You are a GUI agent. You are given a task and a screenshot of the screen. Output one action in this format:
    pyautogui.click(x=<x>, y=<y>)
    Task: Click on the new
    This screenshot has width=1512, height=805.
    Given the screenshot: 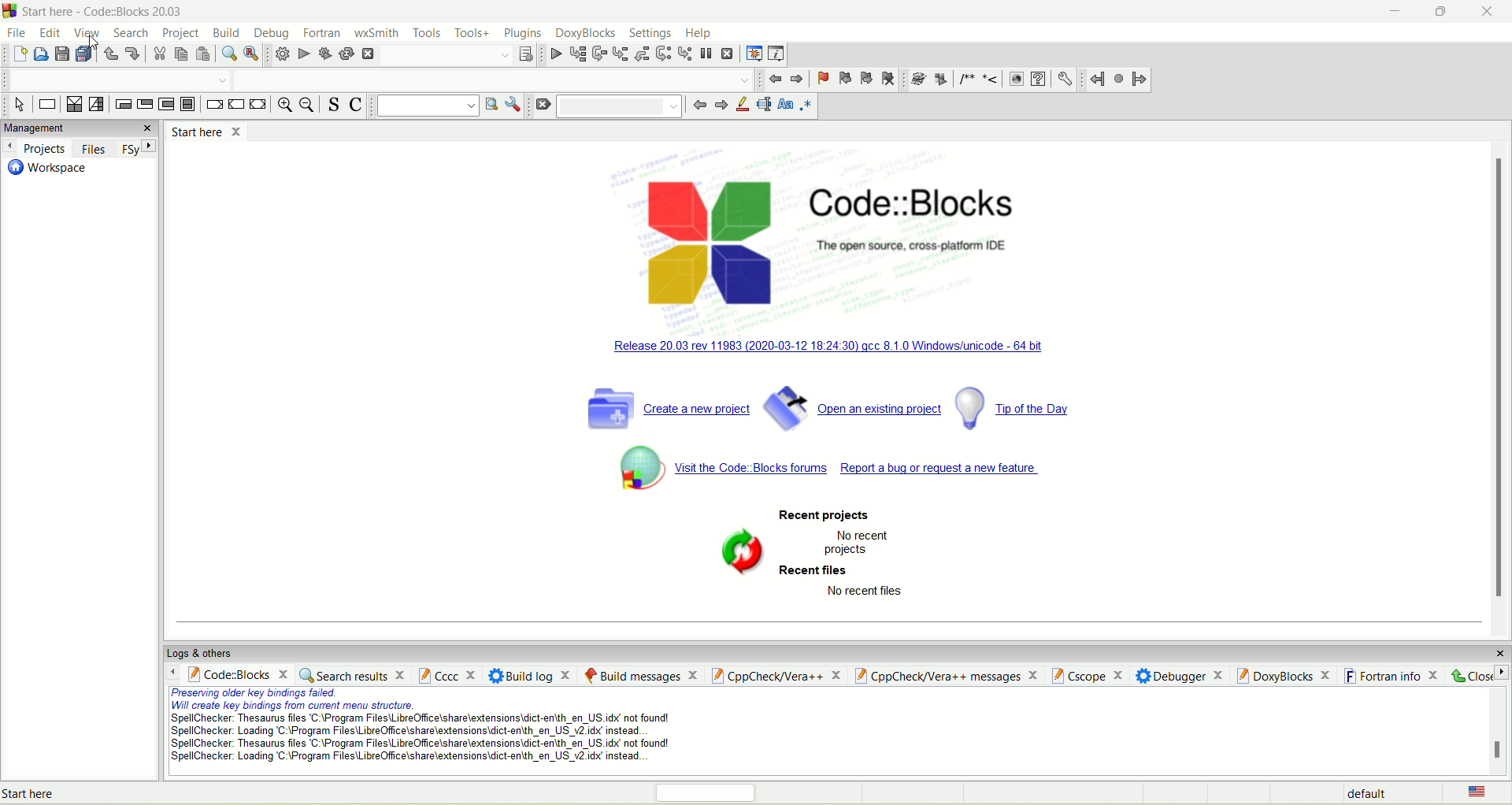 What is the action you would take?
    pyautogui.click(x=17, y=54)
    